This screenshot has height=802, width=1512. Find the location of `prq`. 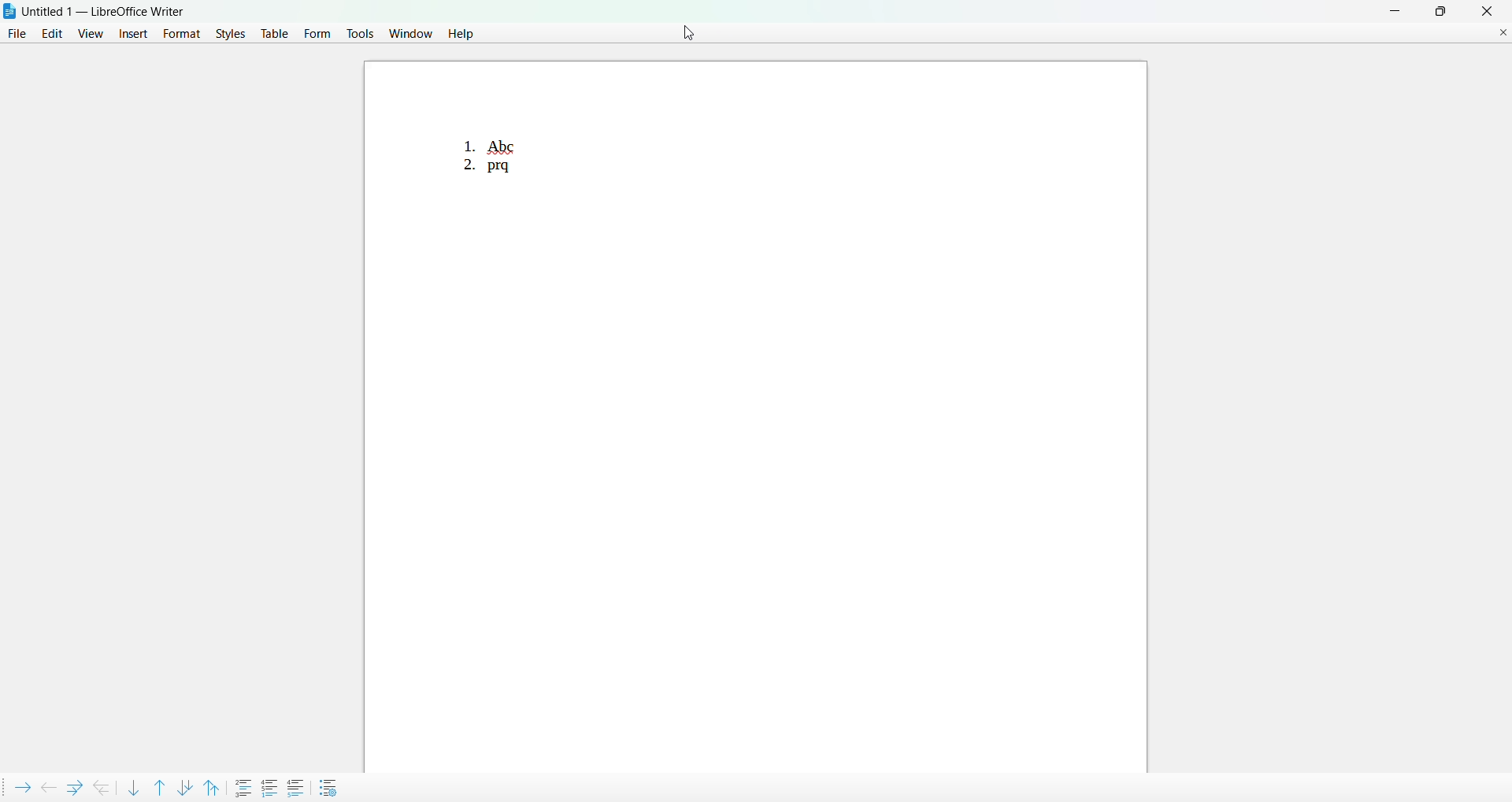

prq is located at coordinates (502, 172).